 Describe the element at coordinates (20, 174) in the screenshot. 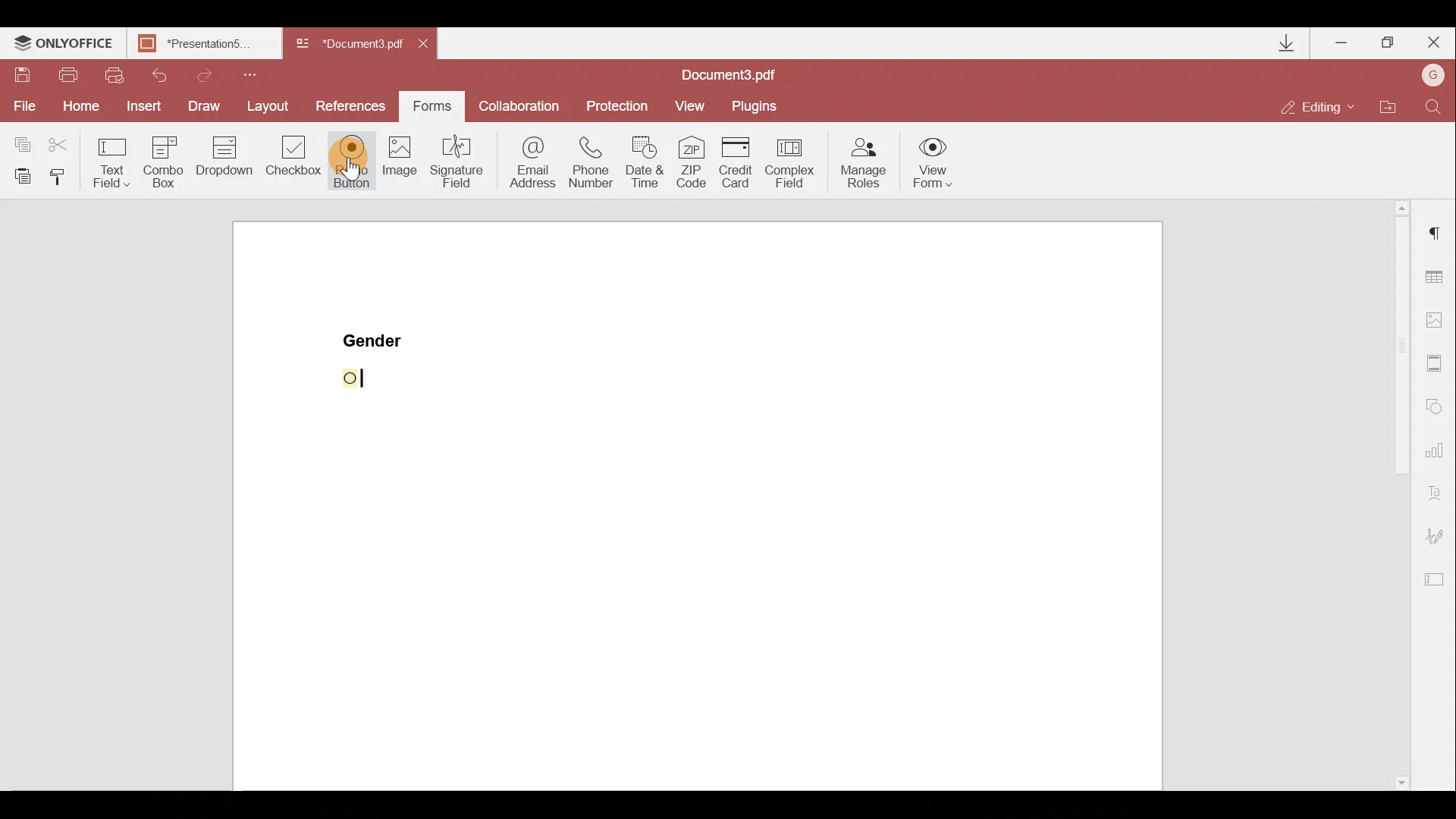

I see `Paste` at that location.